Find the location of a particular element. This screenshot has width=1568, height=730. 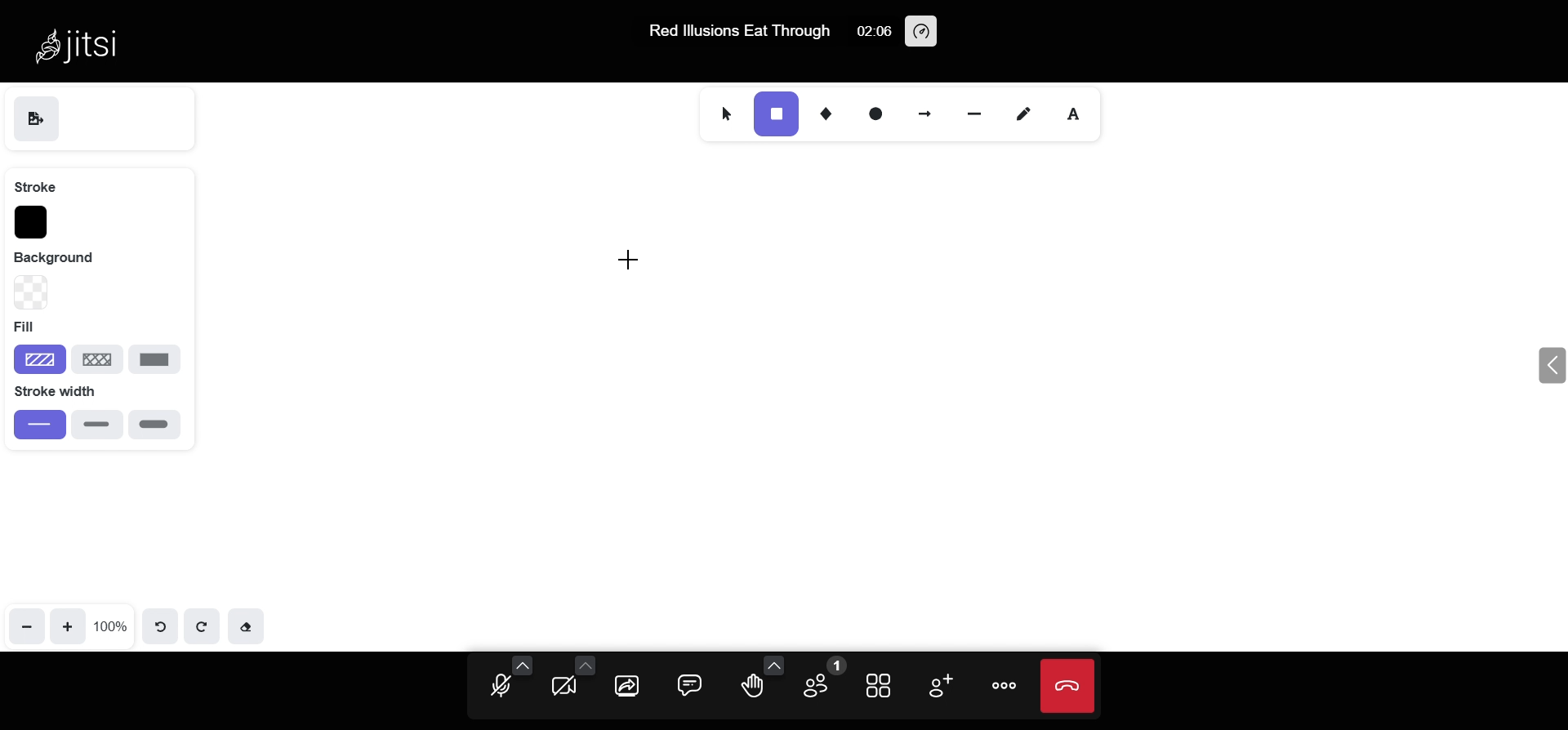

microphone is located at coordinates (501, 688).